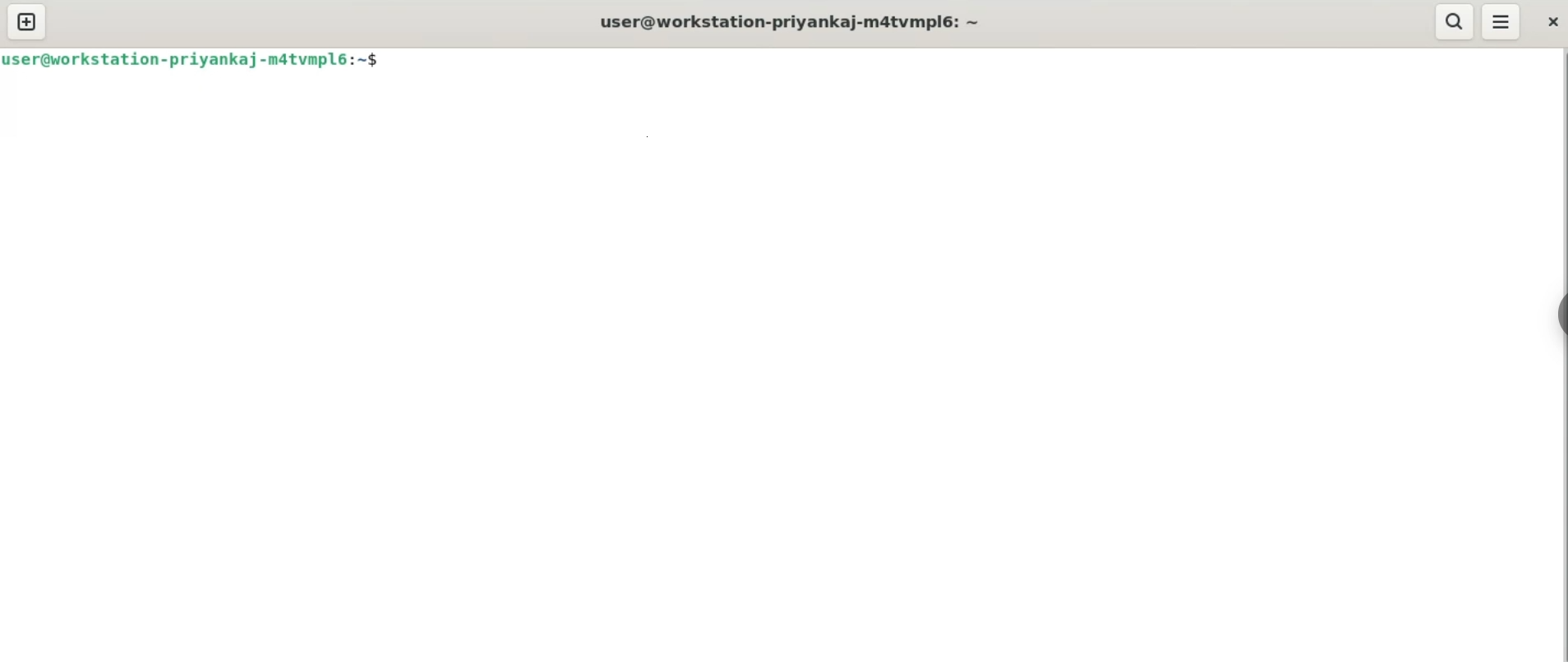  I want to click on new tab, so click(31, 21).